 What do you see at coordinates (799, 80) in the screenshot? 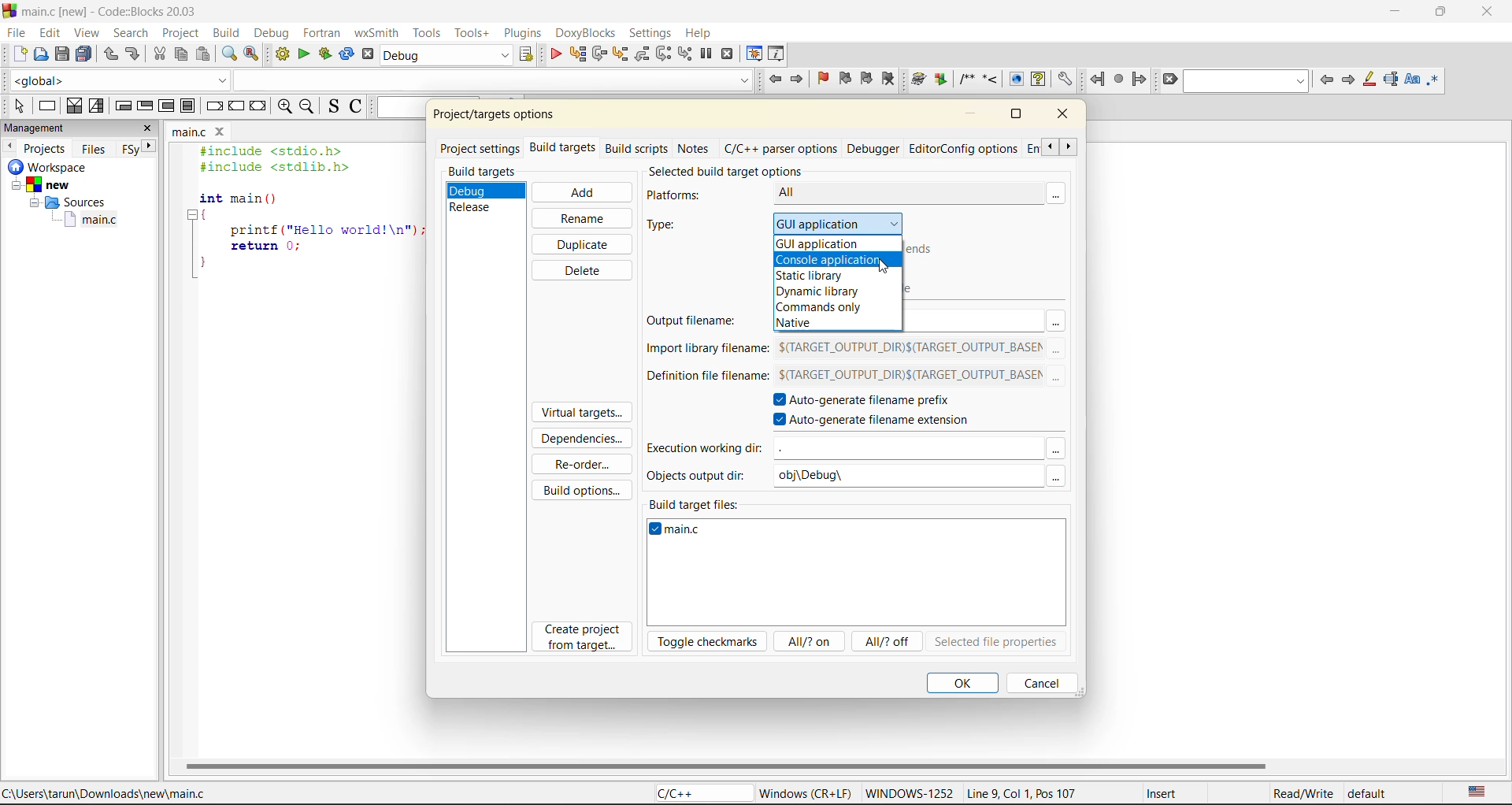
I see `jump forward` at bounding box center [799, 80].